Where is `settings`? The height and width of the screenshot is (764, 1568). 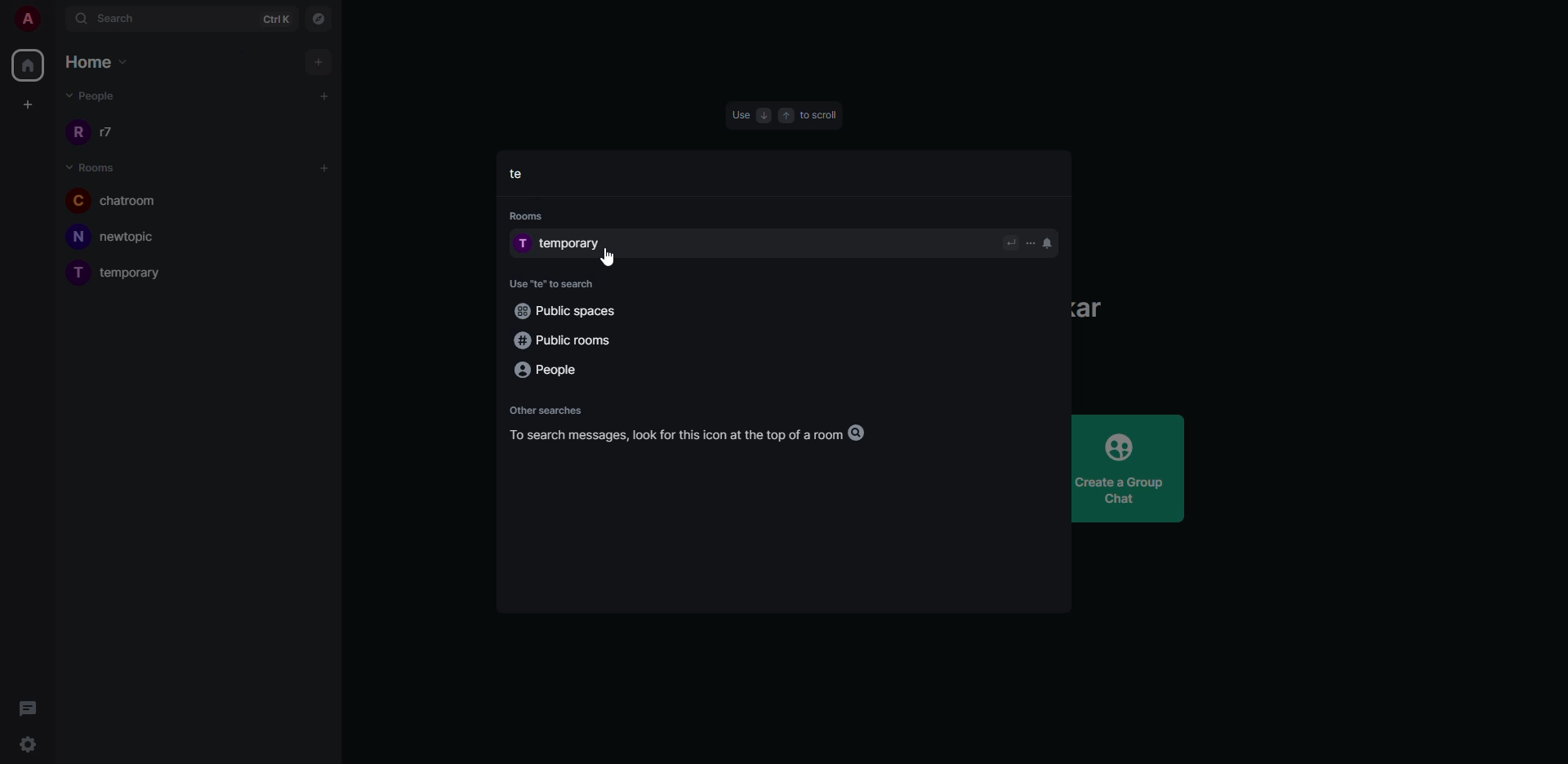
settings is located at coordinates (30, 746).